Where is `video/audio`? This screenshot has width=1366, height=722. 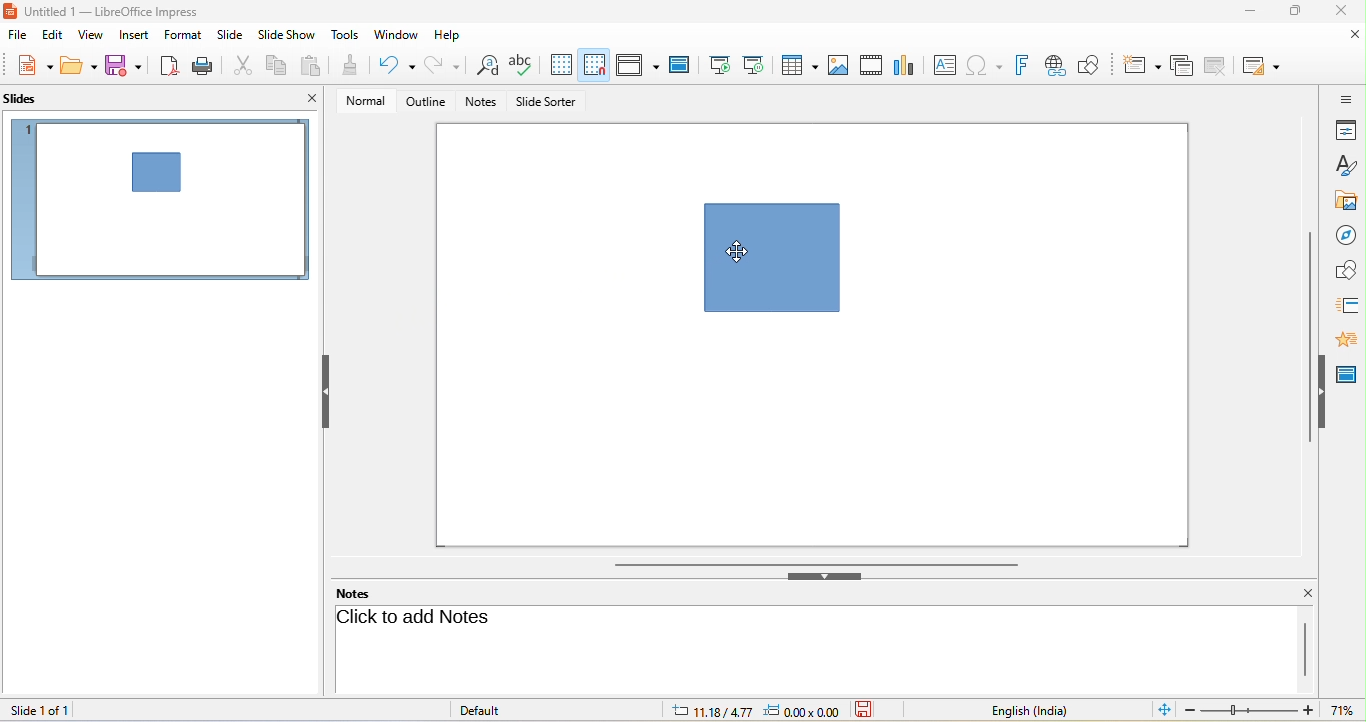
video/audio is located at coordinates (870, 63).